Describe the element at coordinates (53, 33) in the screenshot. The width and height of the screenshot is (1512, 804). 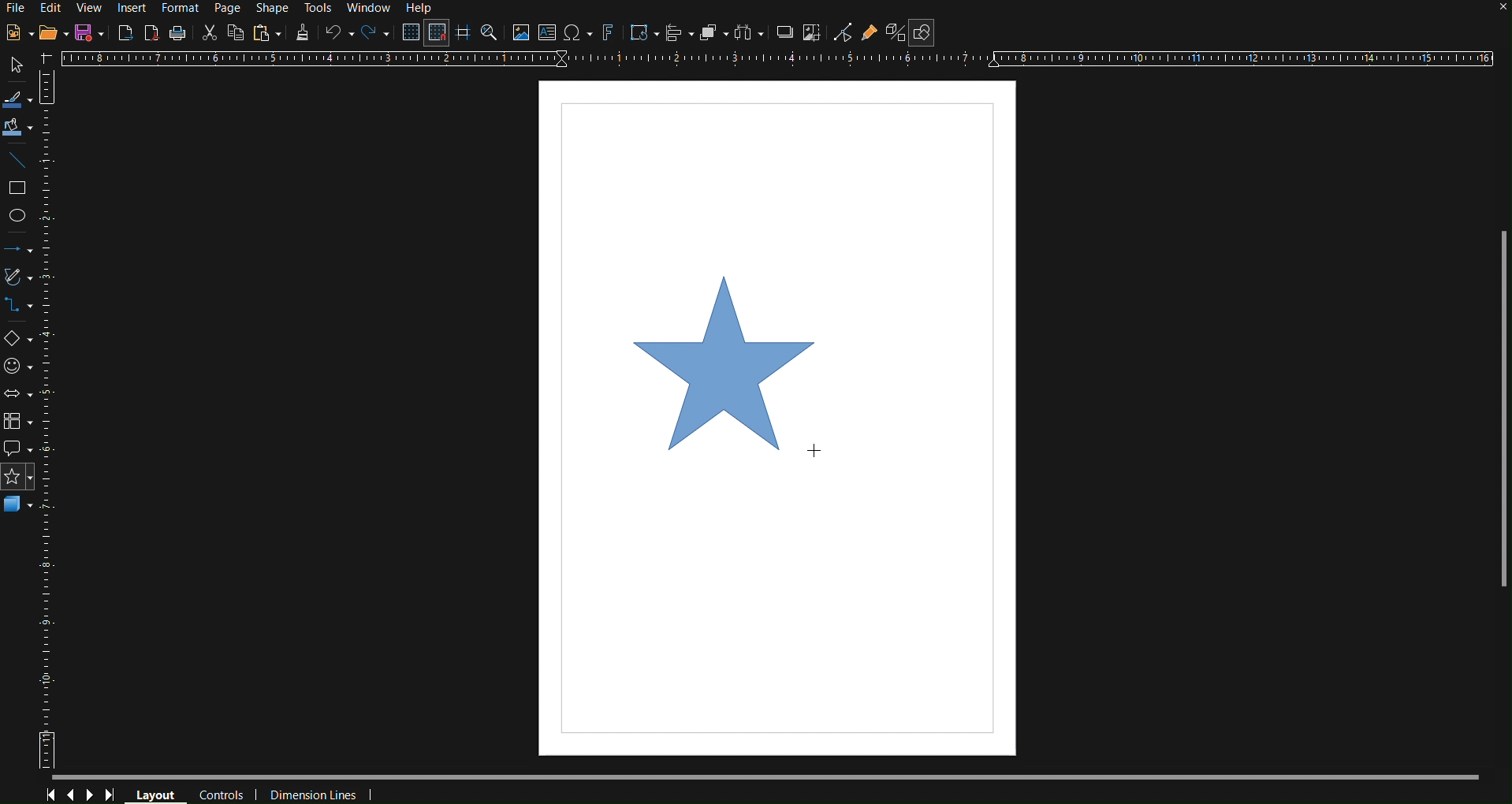
I see `Open` at that location.